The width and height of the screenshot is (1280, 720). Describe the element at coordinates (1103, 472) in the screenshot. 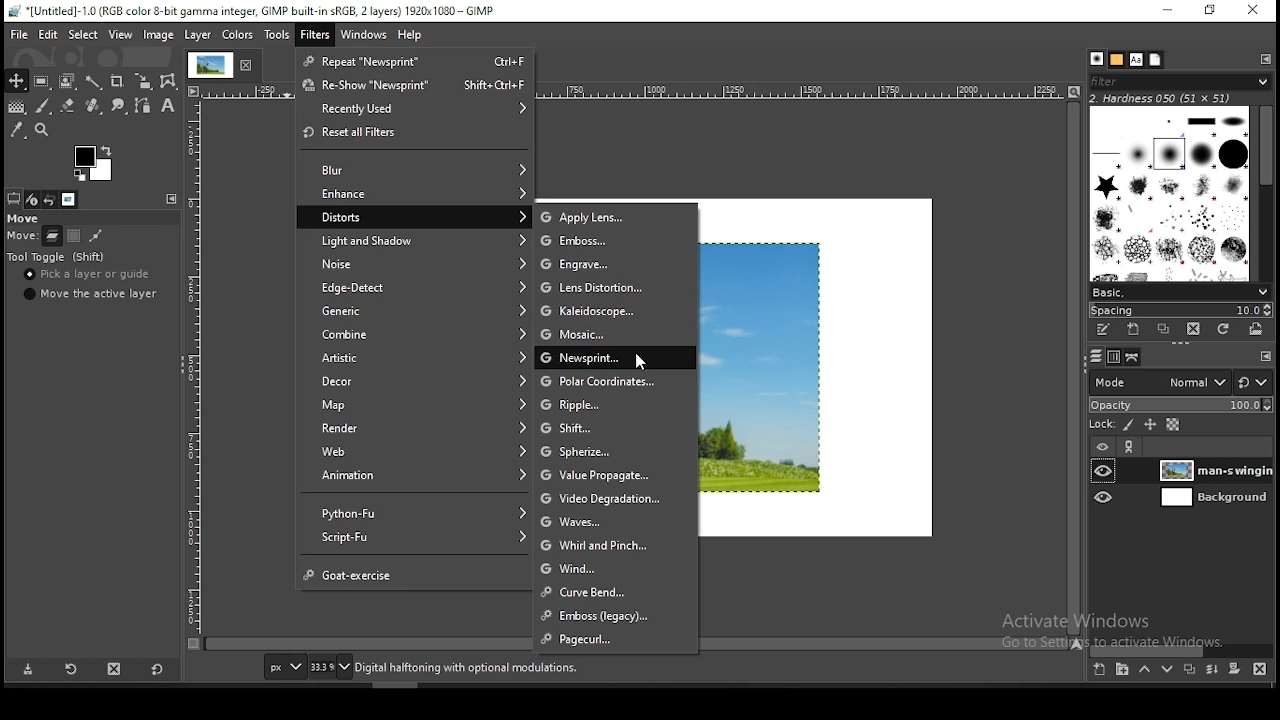

I see `layer visibility on/off` at that location.